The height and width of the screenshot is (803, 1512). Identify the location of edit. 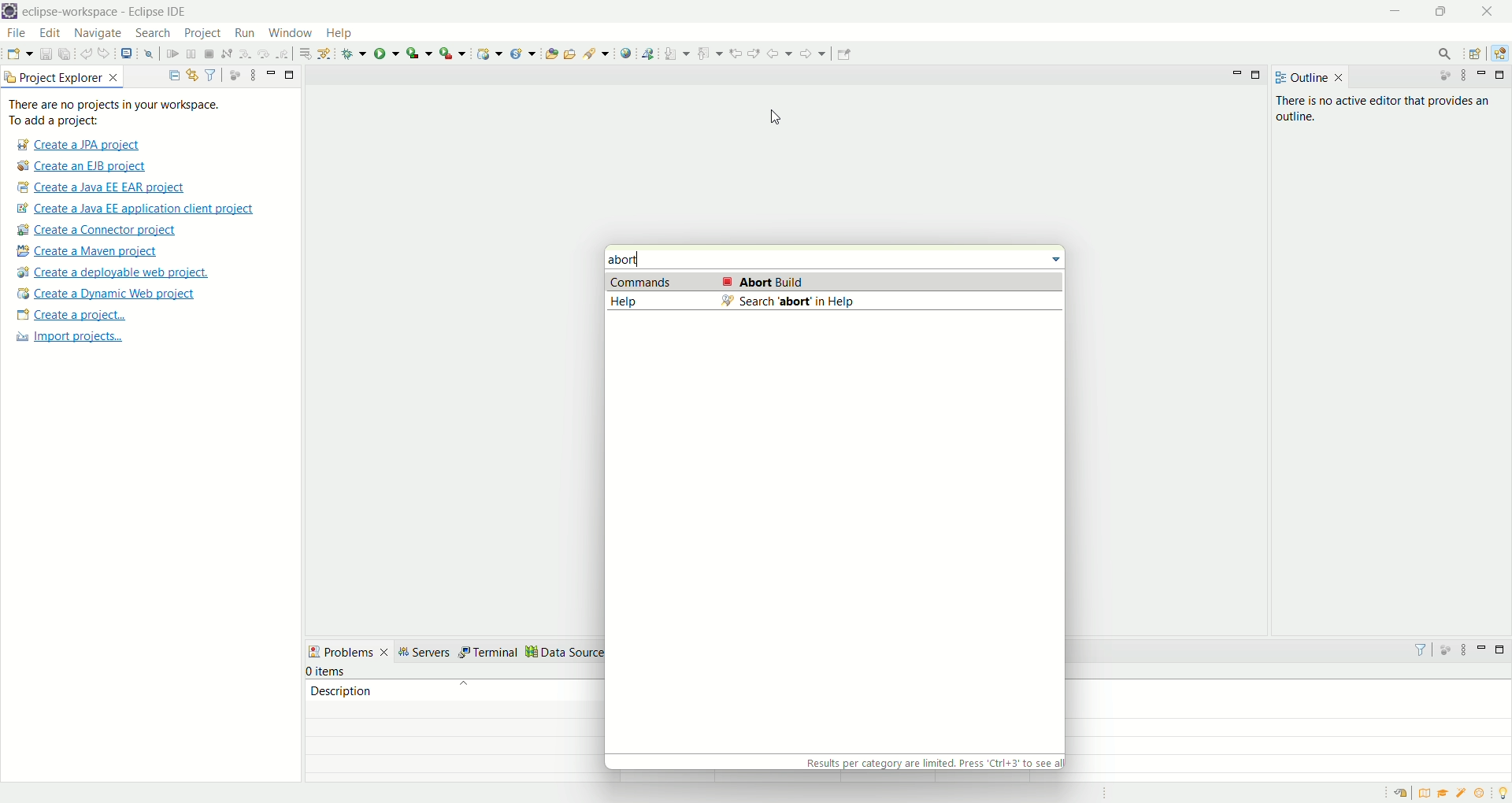
(53, 34).